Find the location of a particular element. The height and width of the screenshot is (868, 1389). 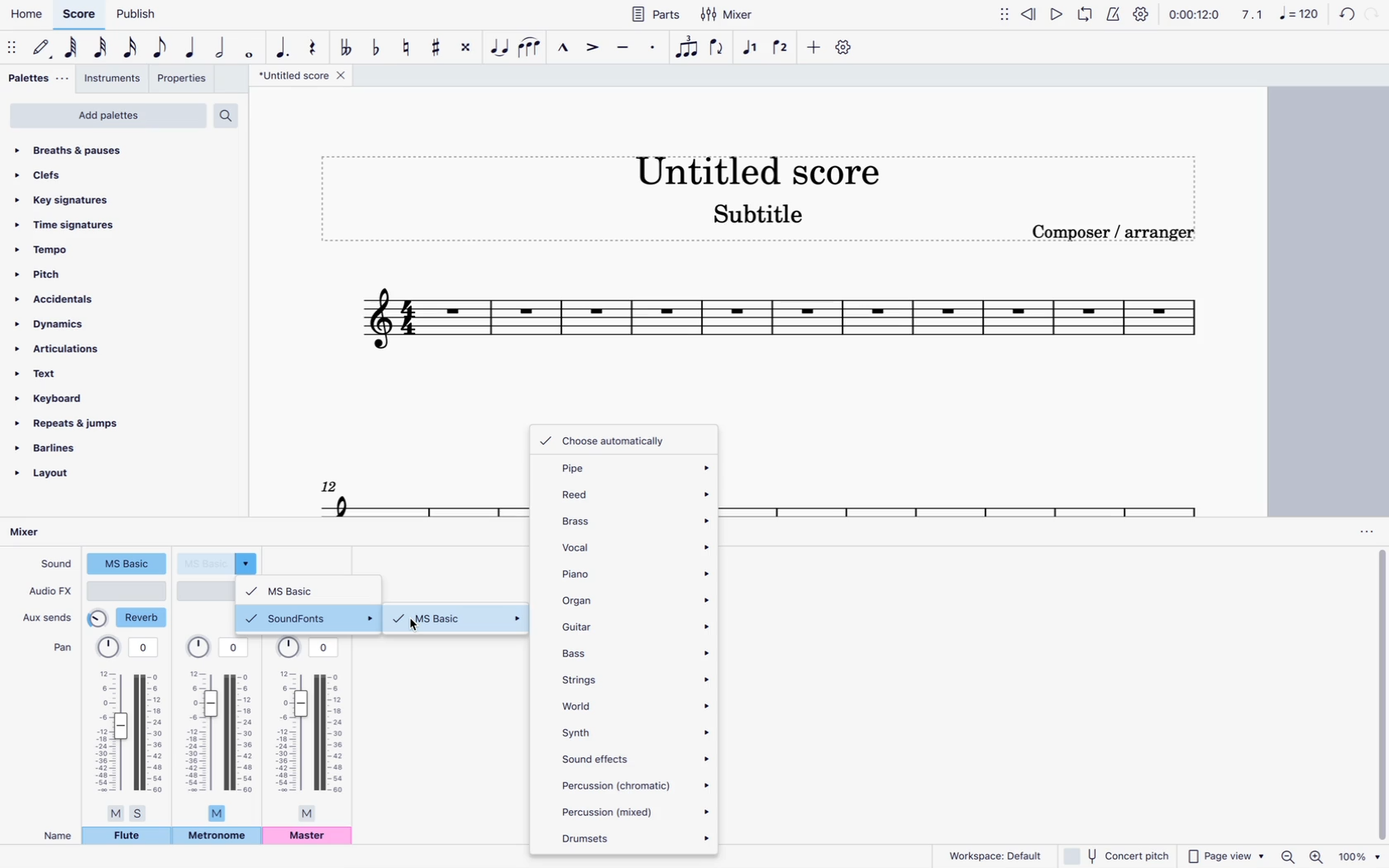

accidentals is located at coordinates (91, 298).